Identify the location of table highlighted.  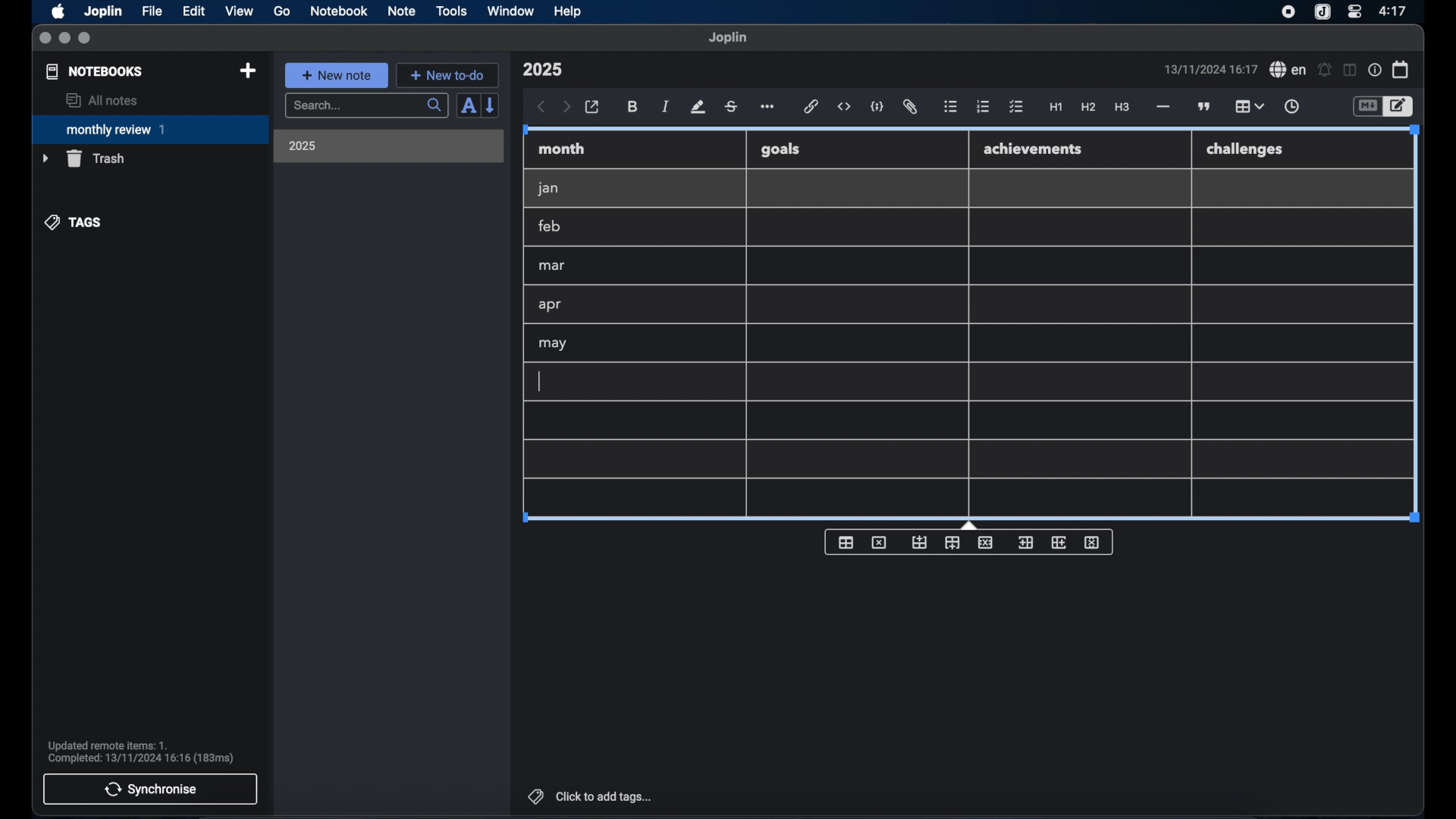
(1247, 106).